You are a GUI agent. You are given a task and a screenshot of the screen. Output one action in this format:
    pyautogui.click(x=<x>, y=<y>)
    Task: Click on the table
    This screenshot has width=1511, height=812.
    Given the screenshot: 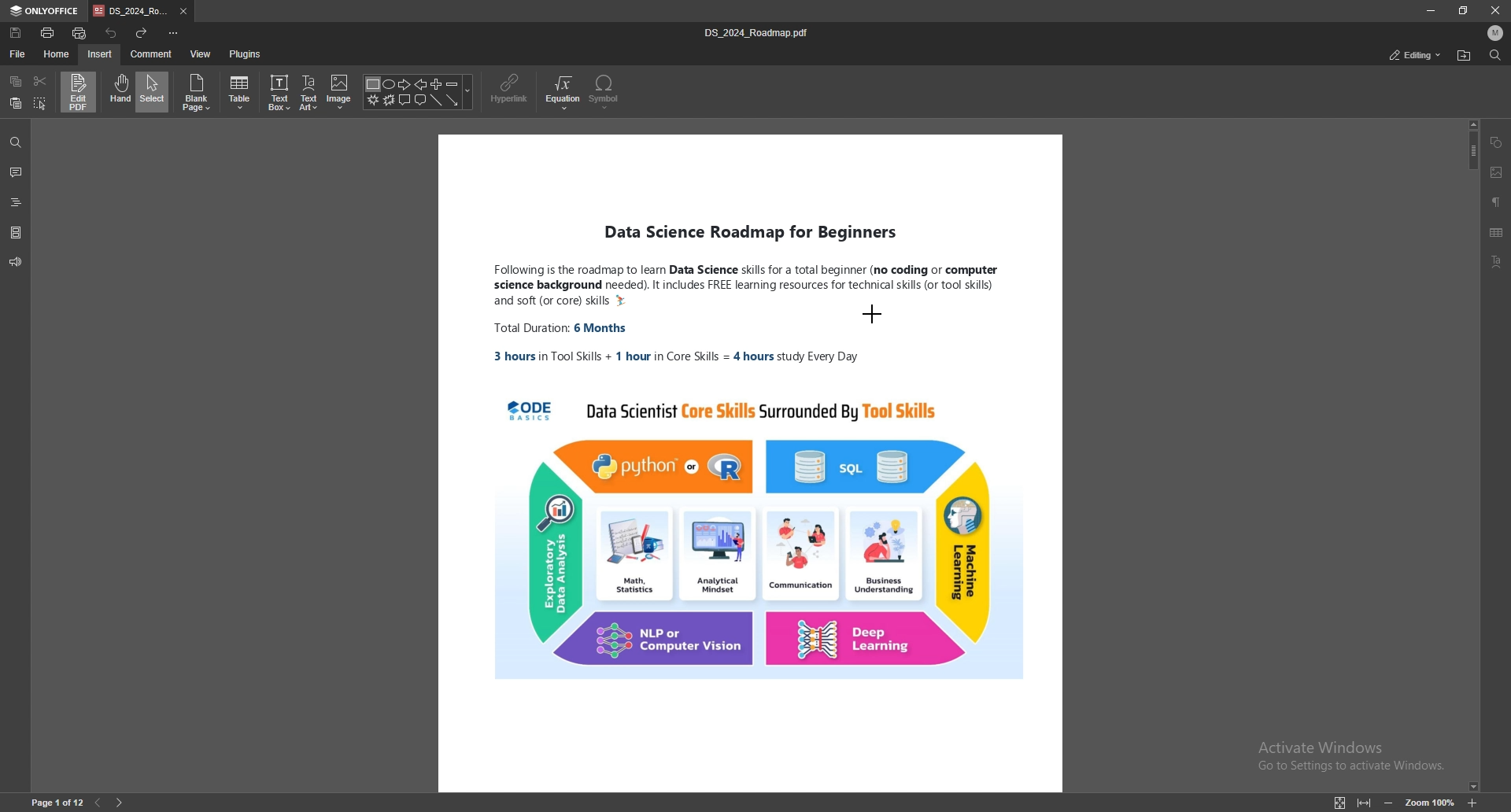 What is the action you would take?
    pyautogui.click(x=242, y=93)
    